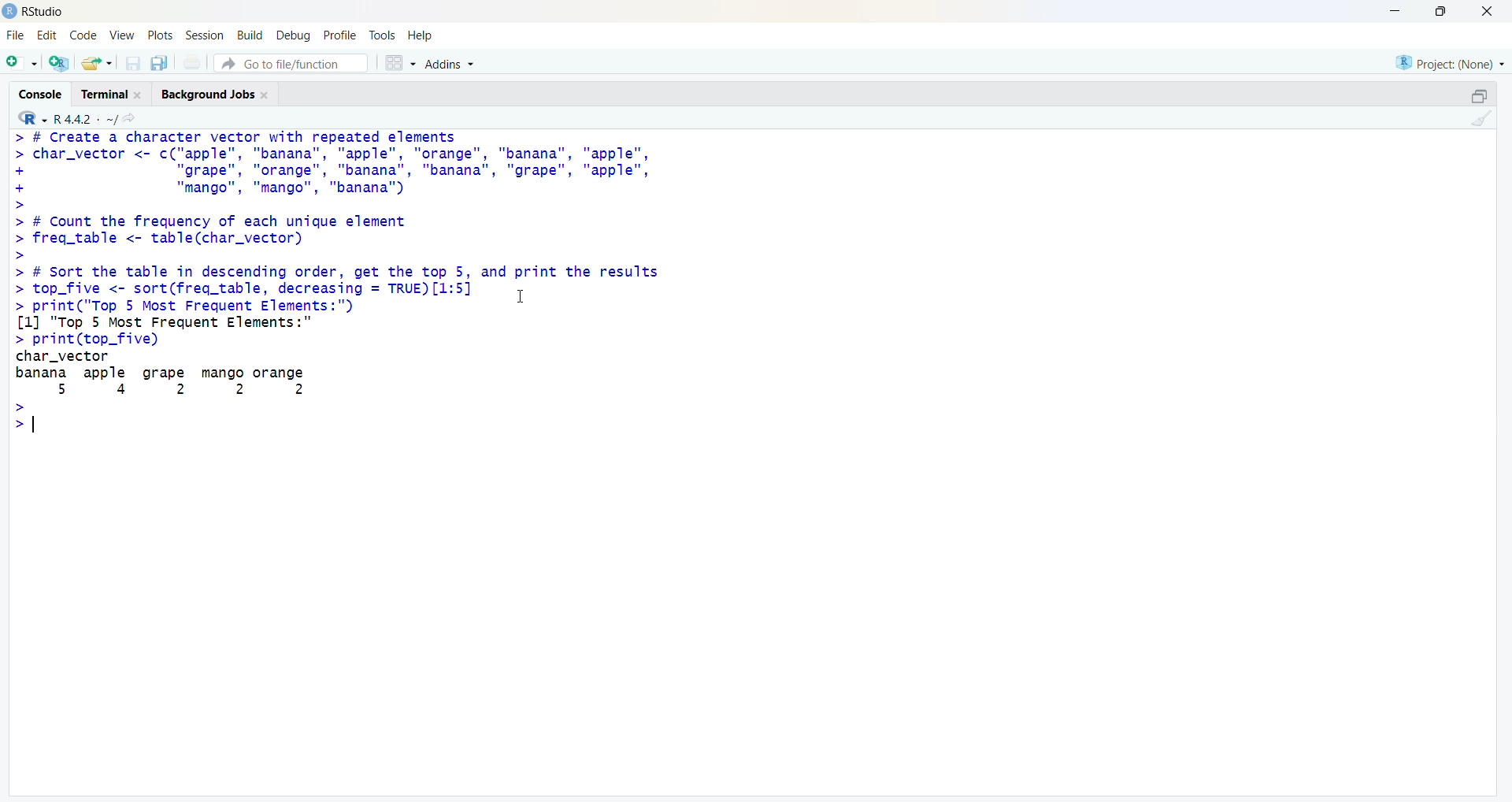 The image size is (1512, 802). I want to click on  Save all open documents (Ctrl + Alt + S), so click(160, 62).